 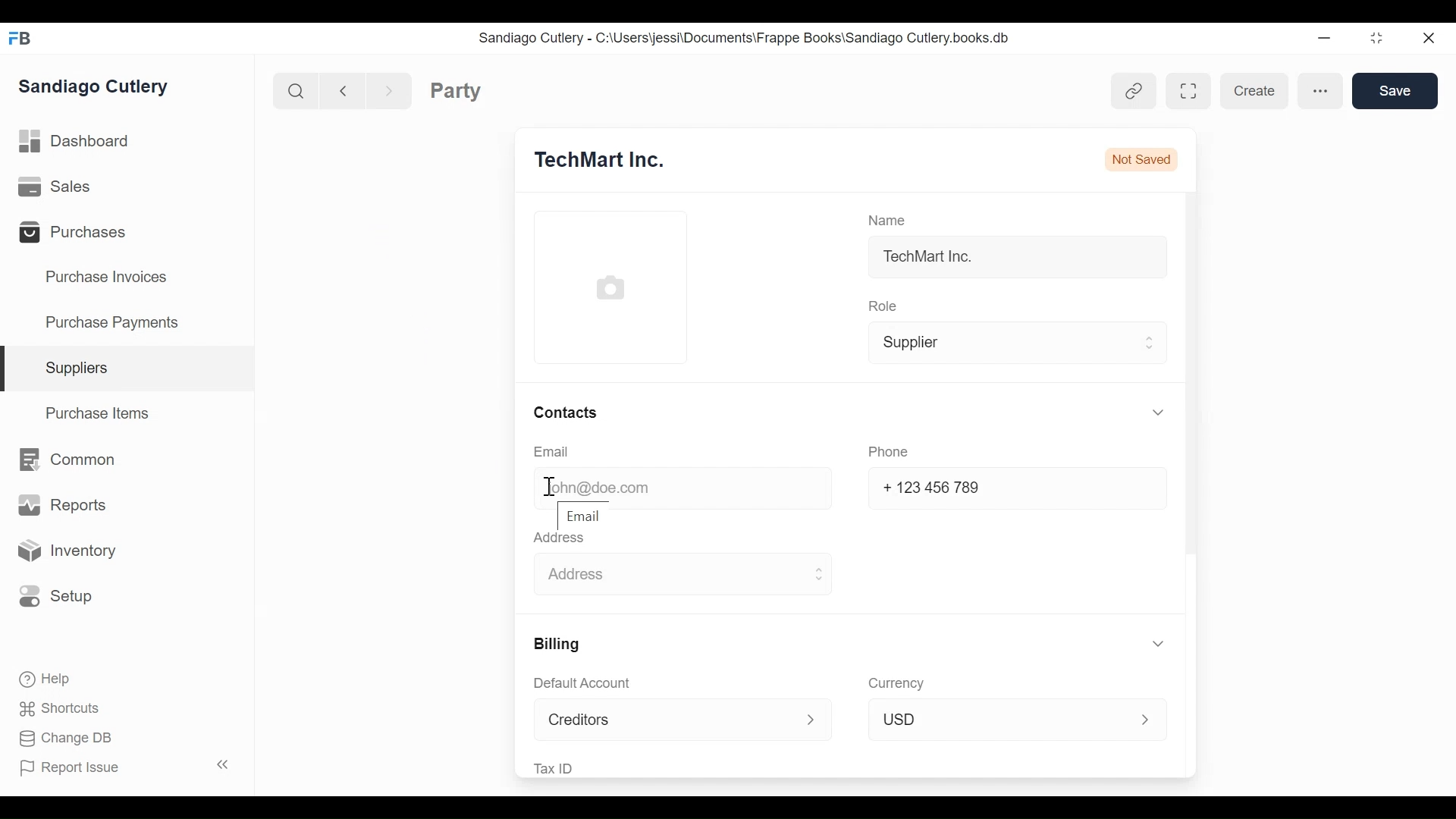 I want to click on Billing, so click(x=560, y=645).